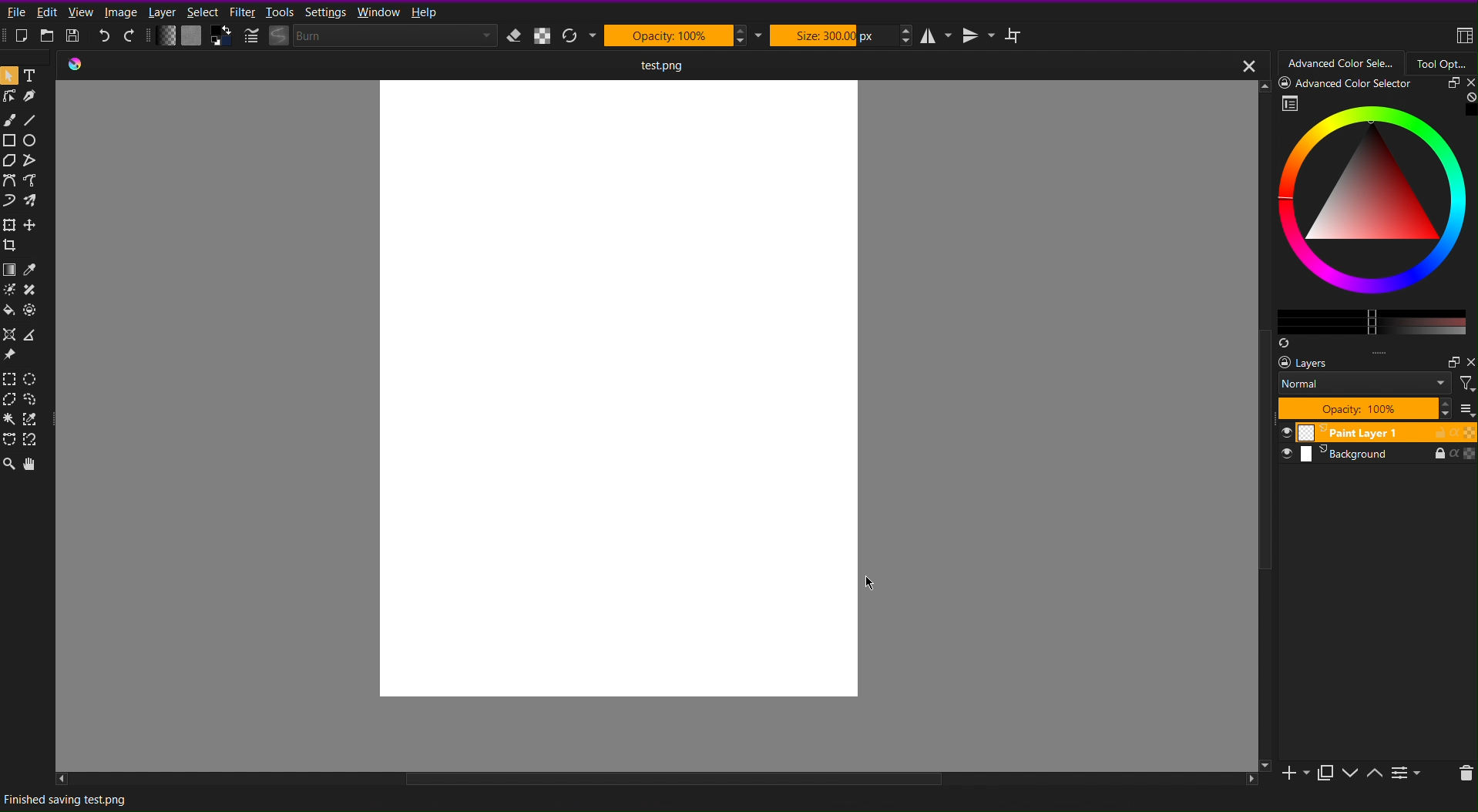 Image resolution: width=1478 pixels, height=812 pixels. Describe the element at coordinates (1376, 386) in the screenshot. I see `Layer Settings` at that location.